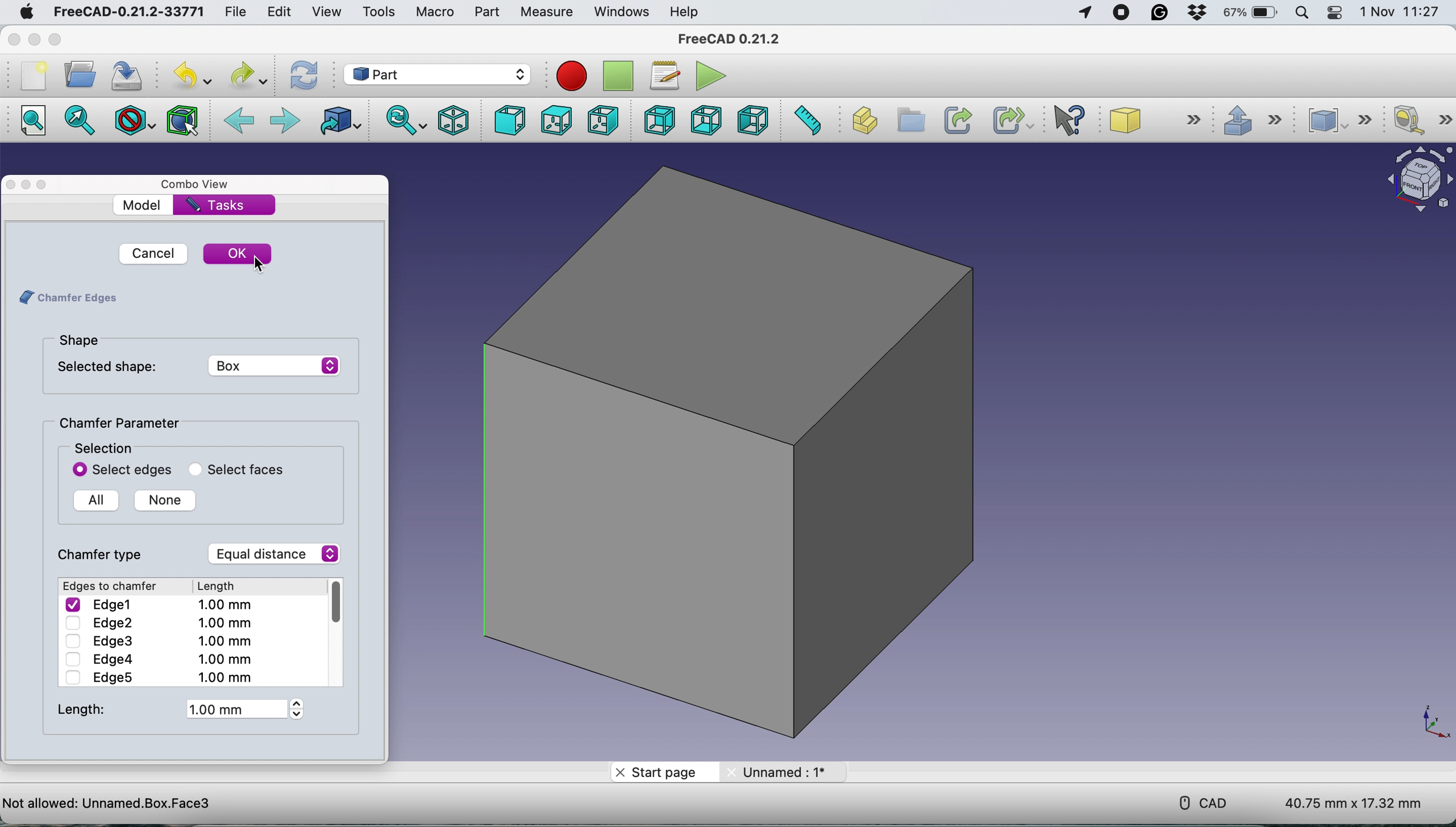 This screenshot has height=827, width=1456. What do you see at coordinates (187, 76) in the screenshot?
I see `undo` at bounding box center [187, 76].